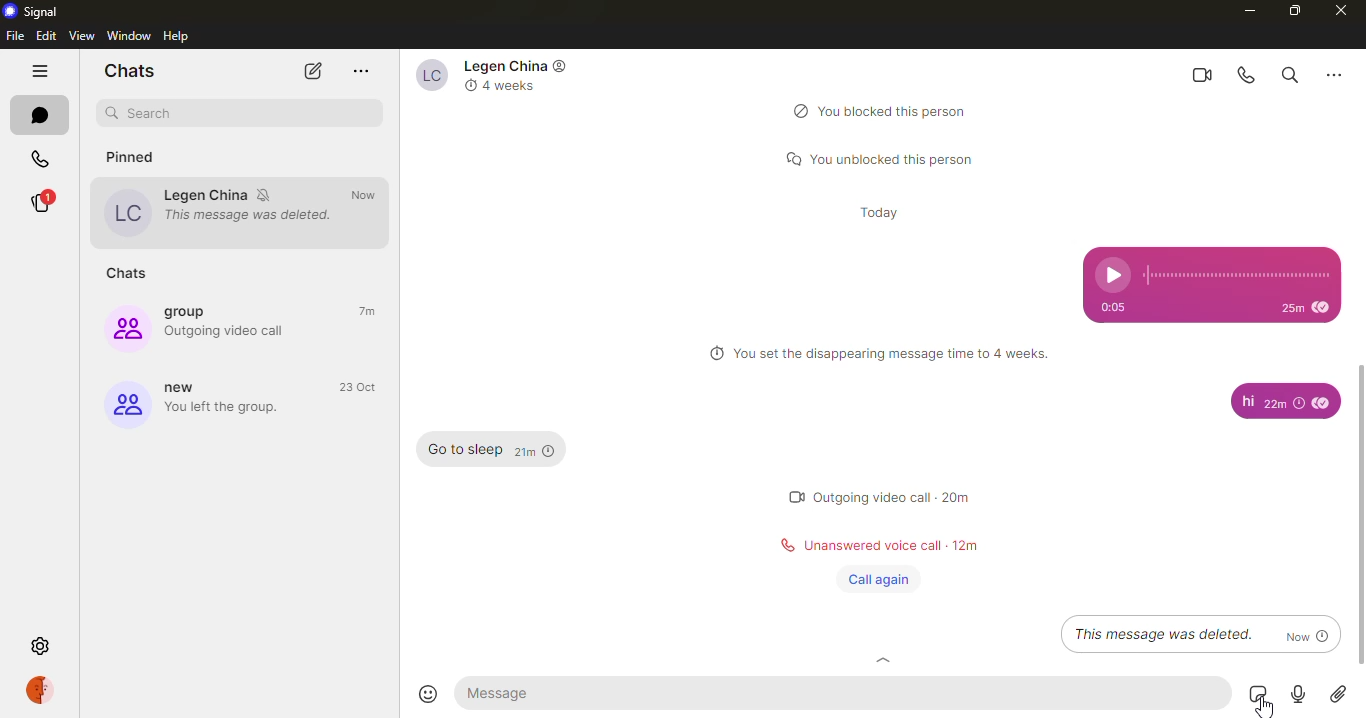  What do you see at coordinates (506, 65) in the screenshot?
I see `Legen China` at bounding box center [506, 65].